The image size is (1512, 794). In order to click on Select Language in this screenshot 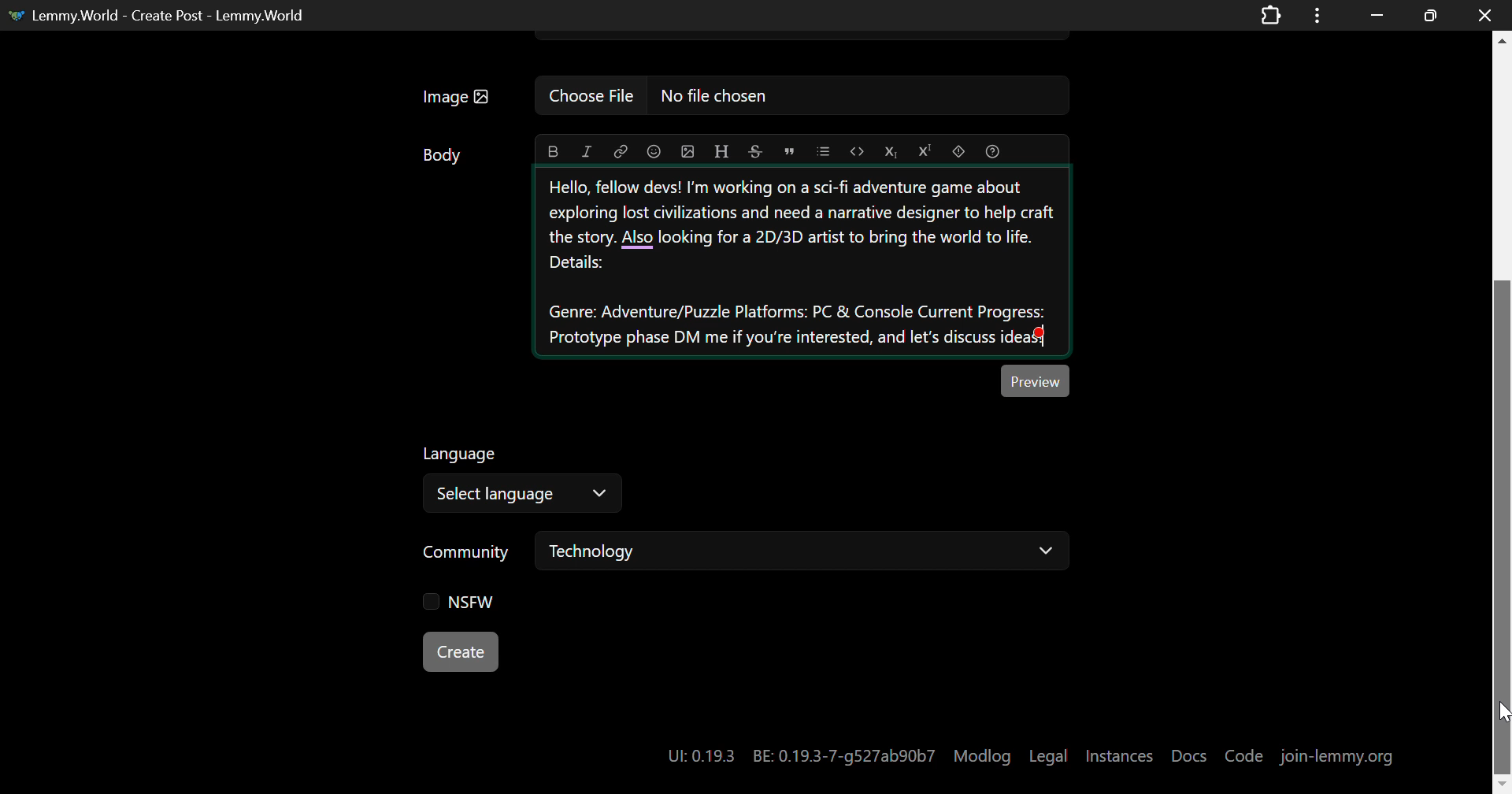, I will do `click(523, 495)`.